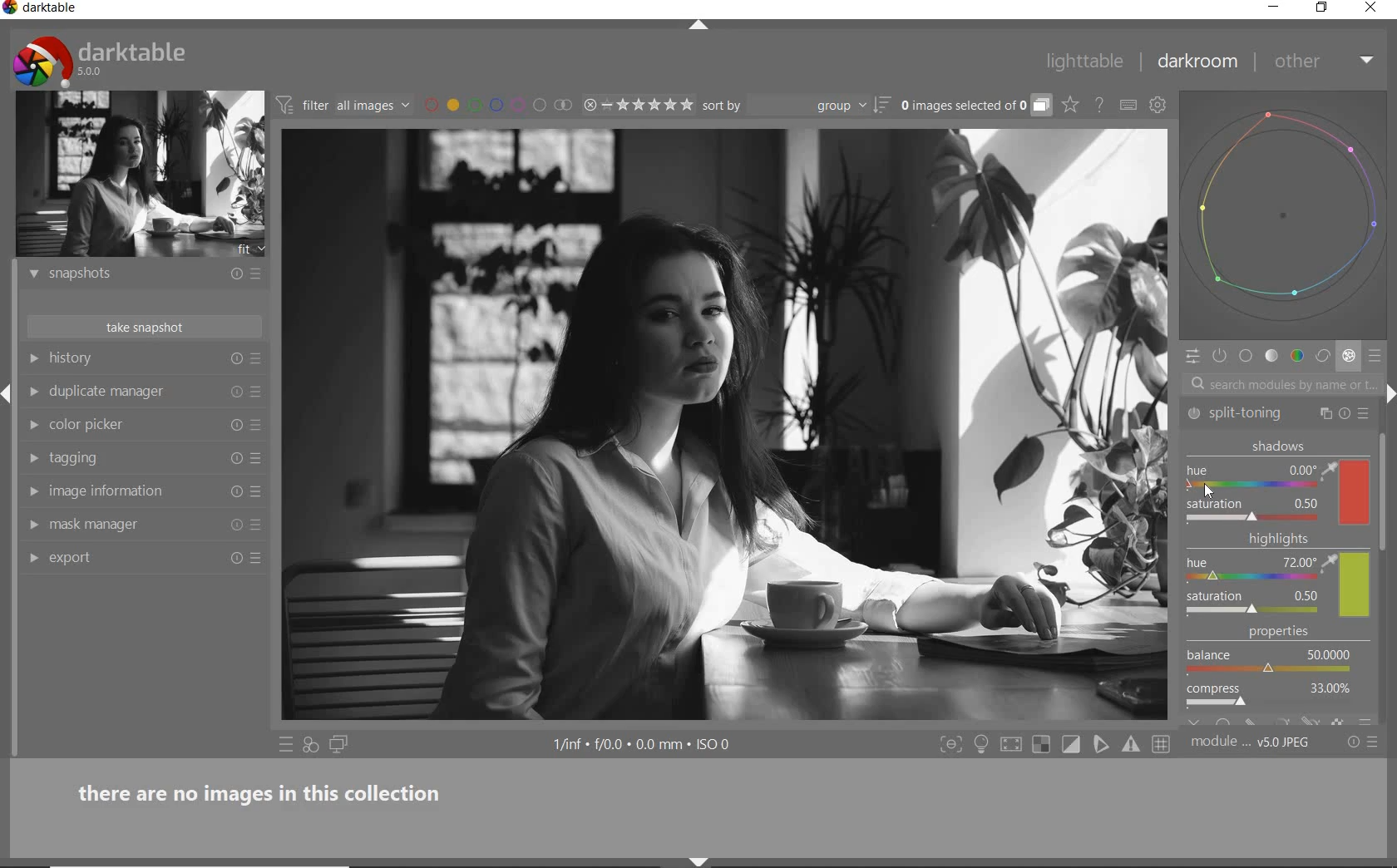 This screenshot has width=1397, height=868. I want to click on Toggle gamut checking, so click(1130, 745).